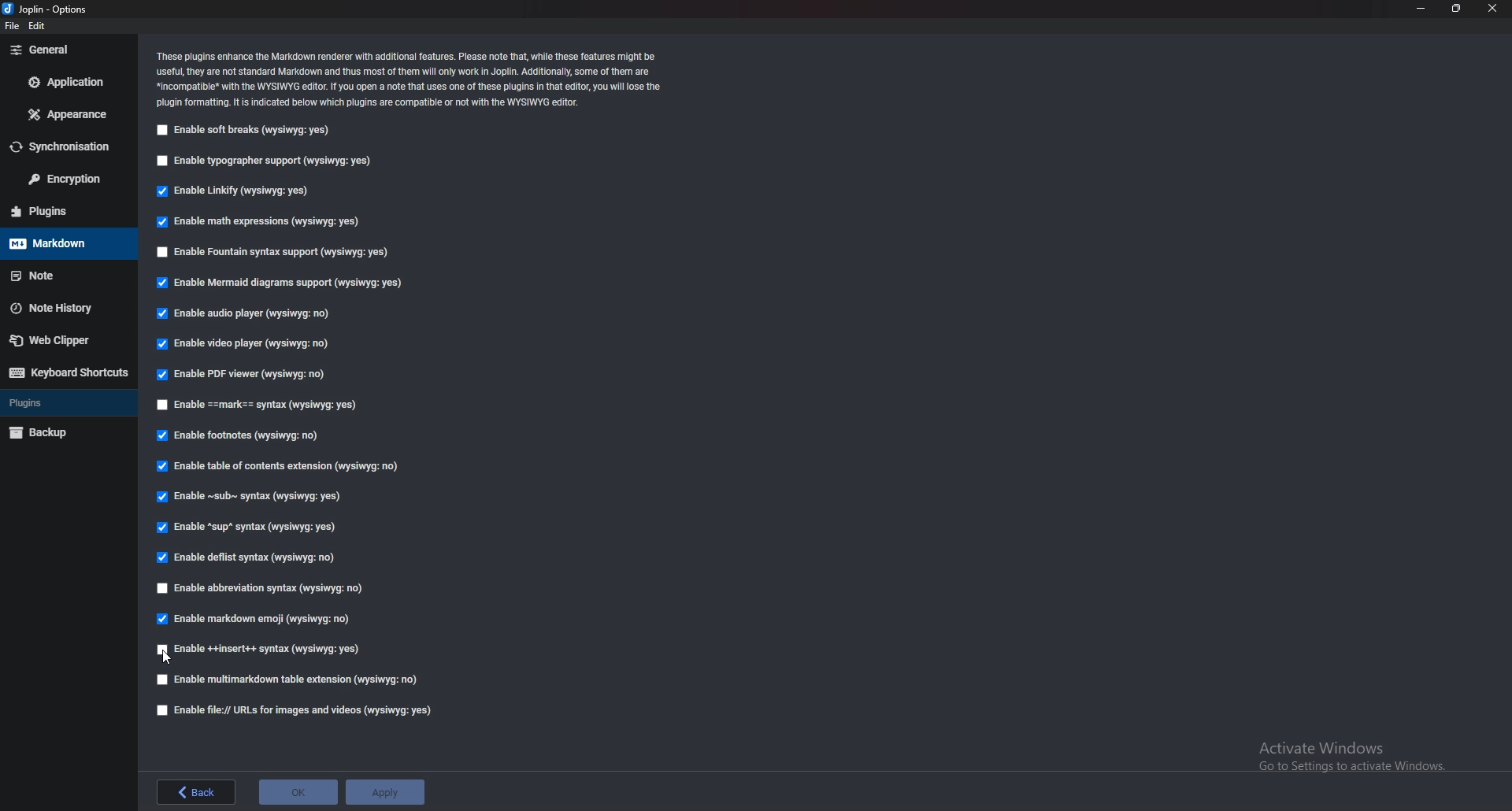 The width and height of the screenshot is (1512, 811). I want to click on Encryption, so click(69, 180).